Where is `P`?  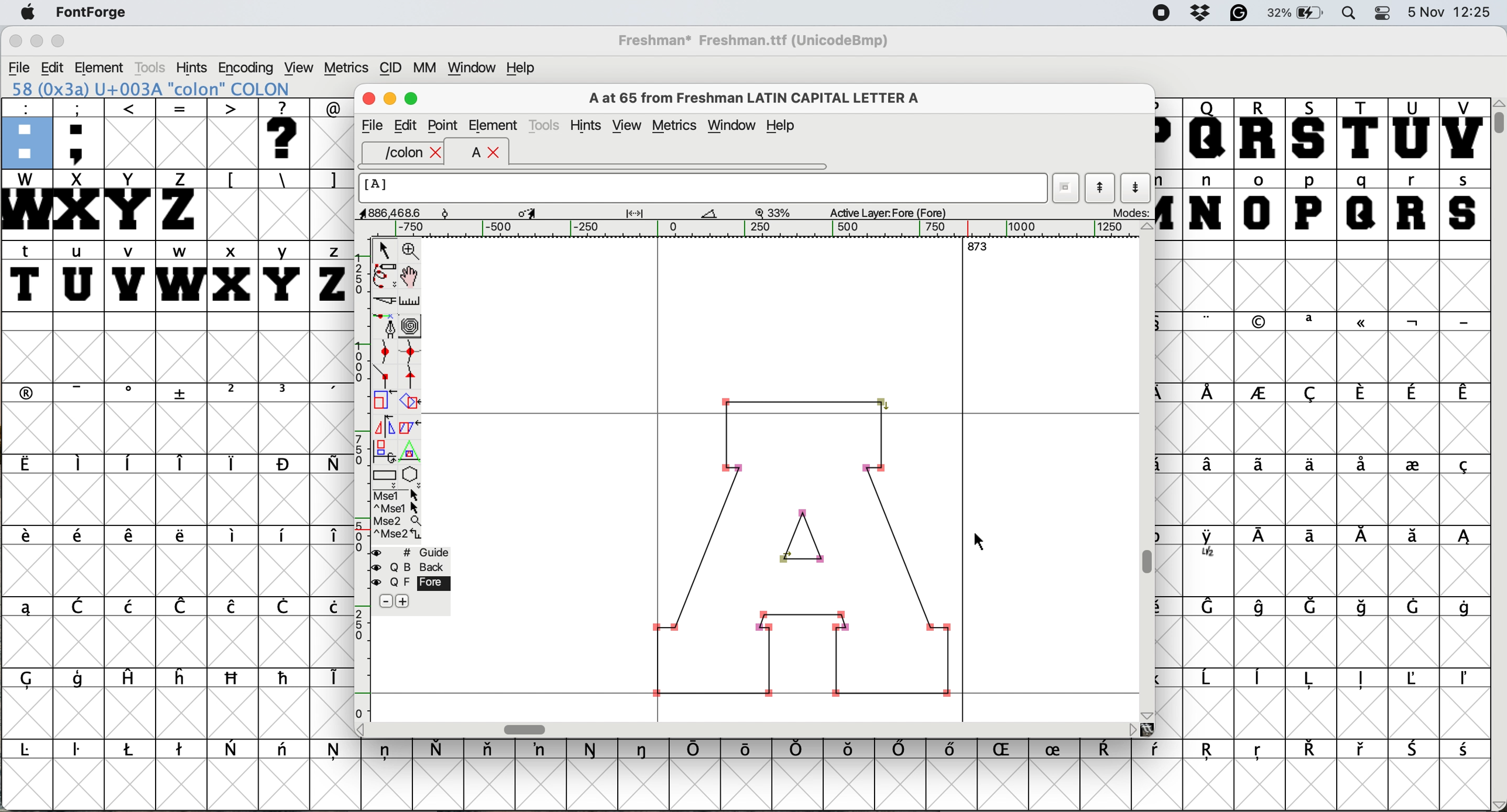 P is located at coordinates (1167, 133).